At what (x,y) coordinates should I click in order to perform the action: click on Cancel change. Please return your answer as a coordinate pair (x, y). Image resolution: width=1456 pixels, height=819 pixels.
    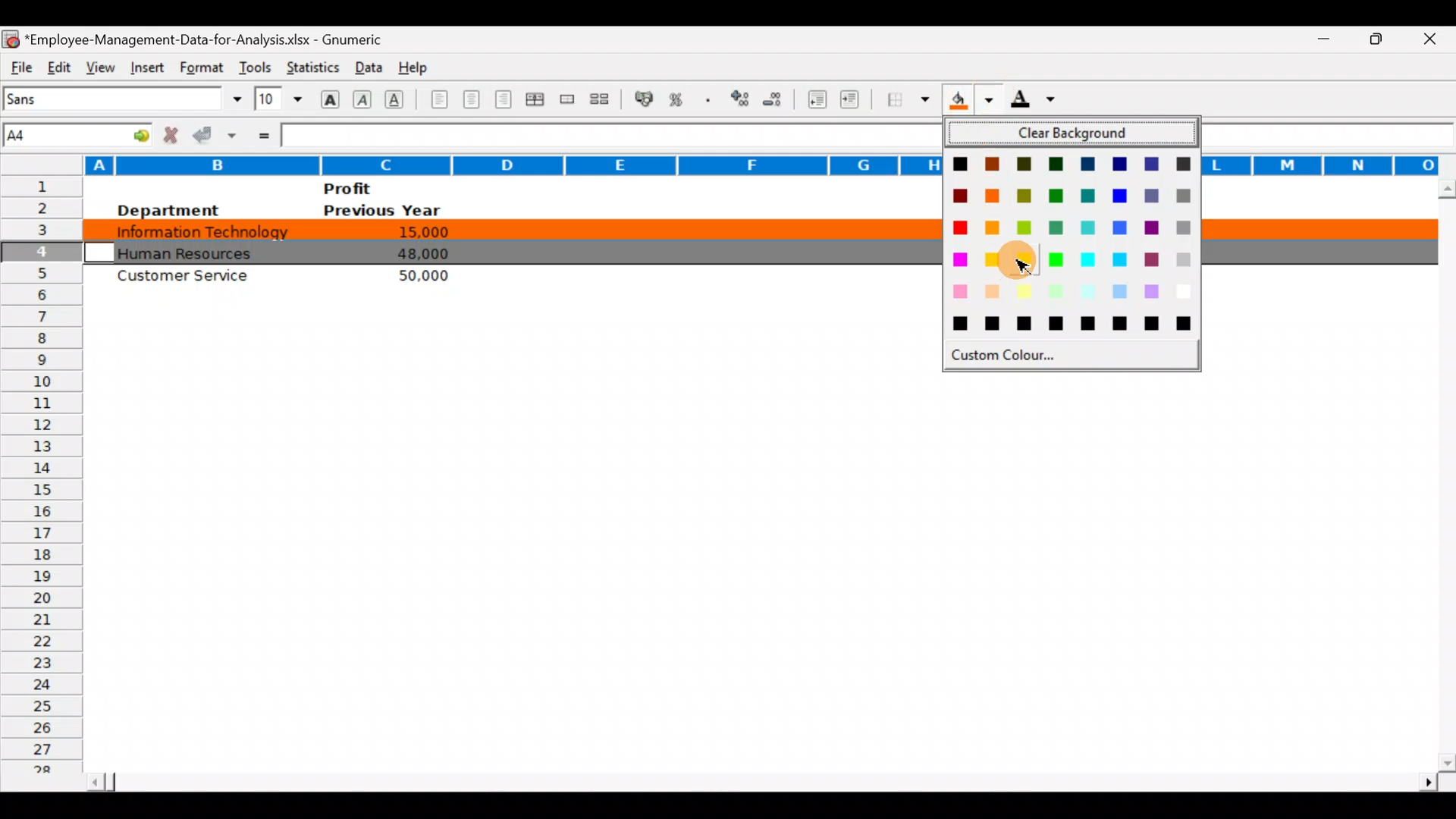
    Looking at the image, I should click on (174, 134).